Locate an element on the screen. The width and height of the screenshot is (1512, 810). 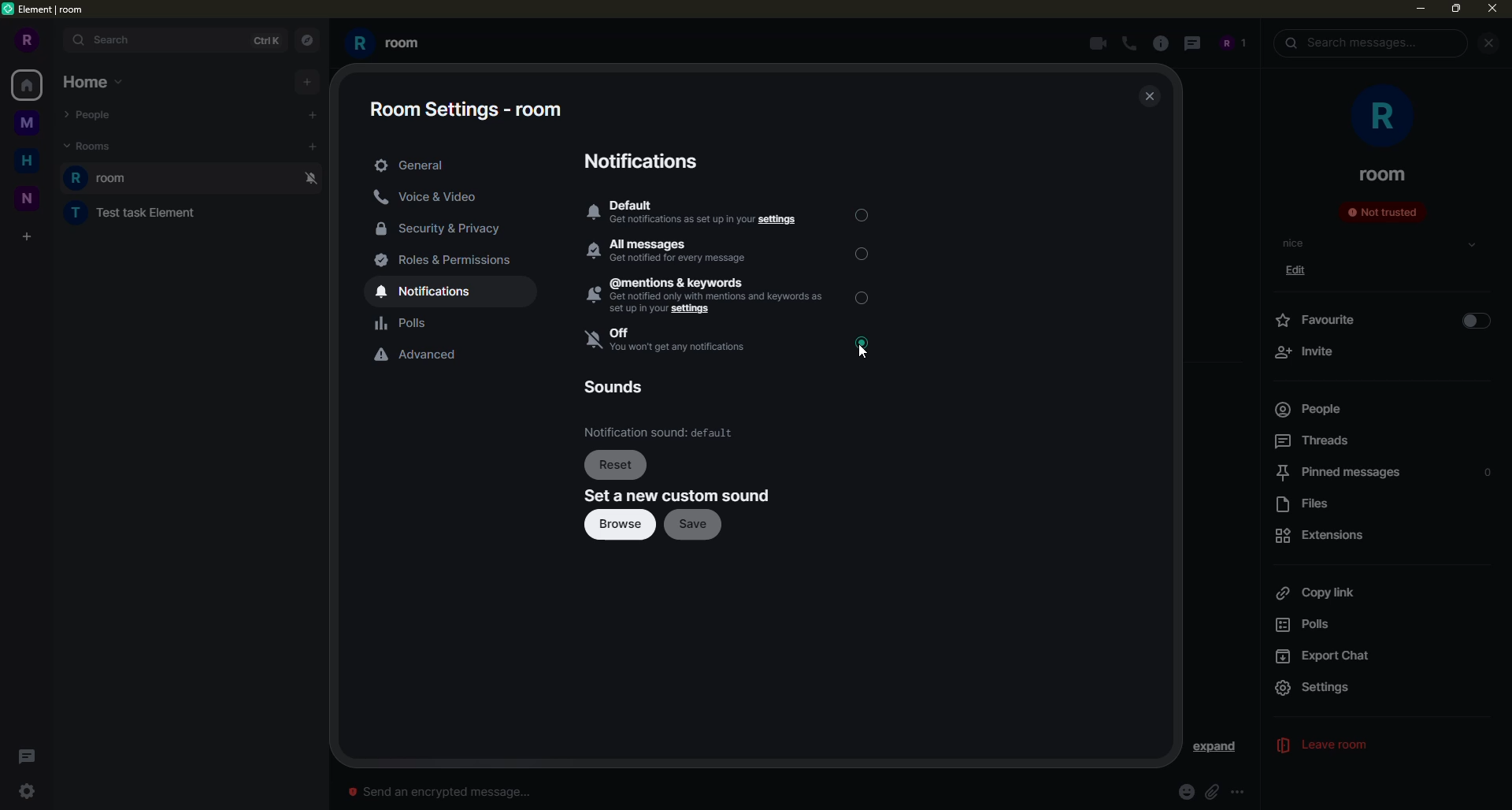
profile pic is located at coordinates (1378, 115).